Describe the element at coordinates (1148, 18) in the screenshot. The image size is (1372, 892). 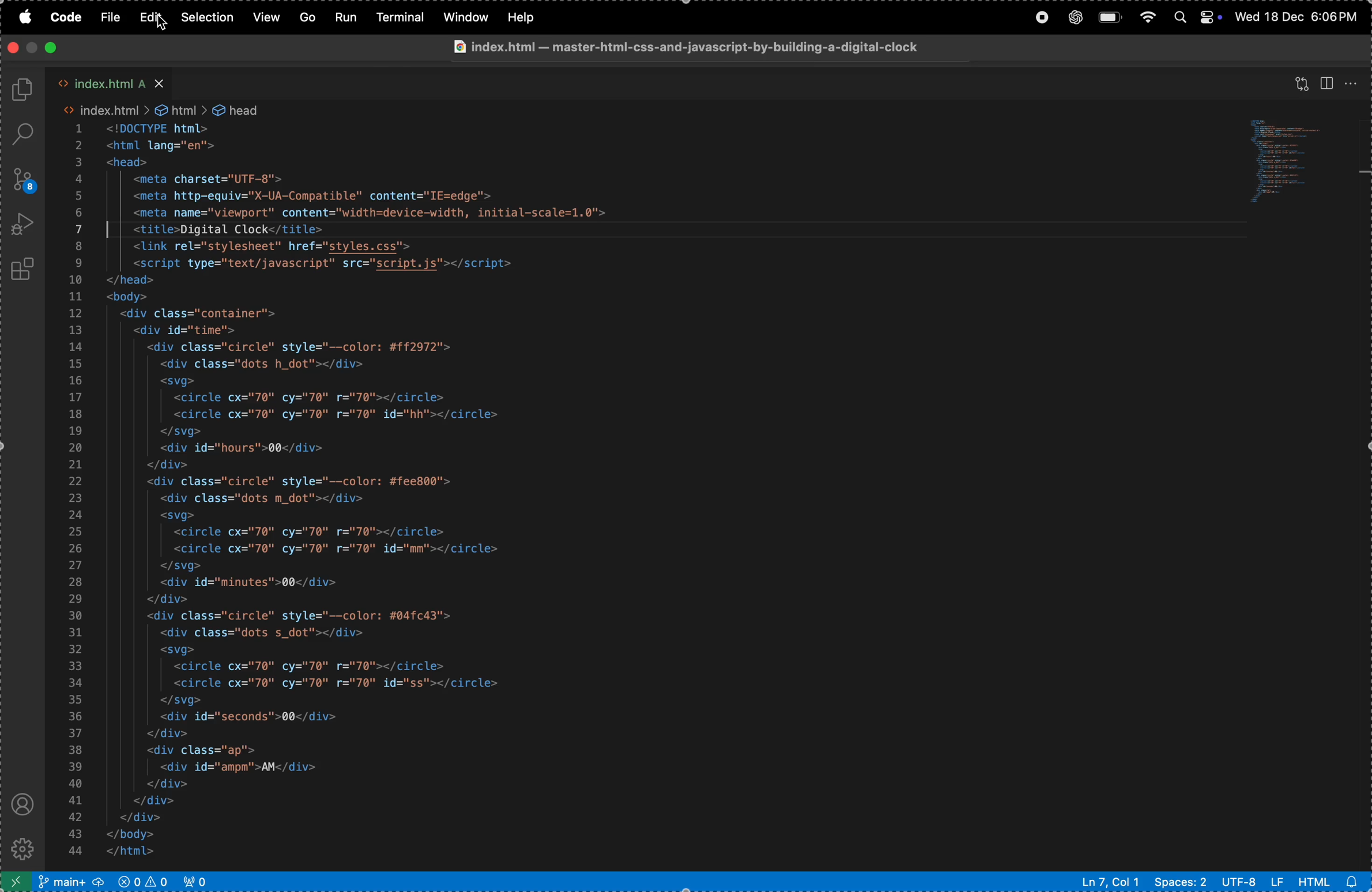
I see `wifi` at that location.